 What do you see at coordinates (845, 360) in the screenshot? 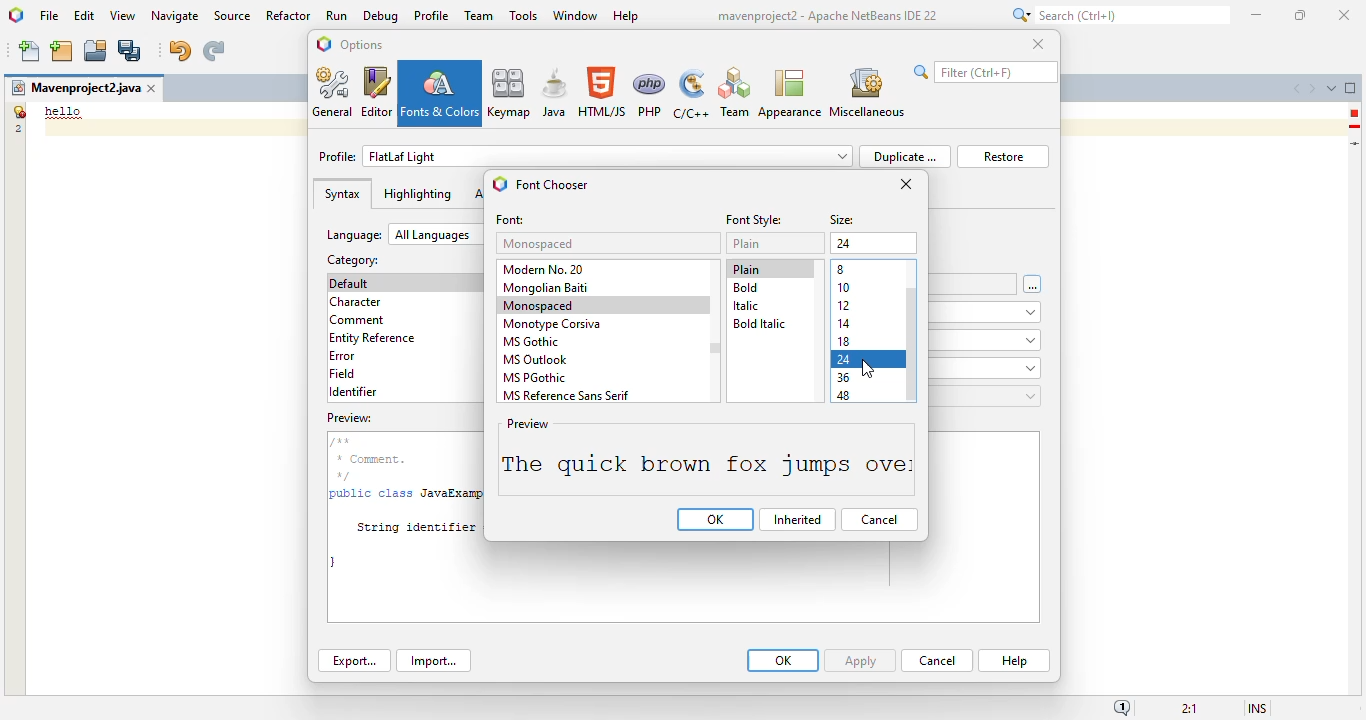
I see `24` at bounding box center [845, 360].